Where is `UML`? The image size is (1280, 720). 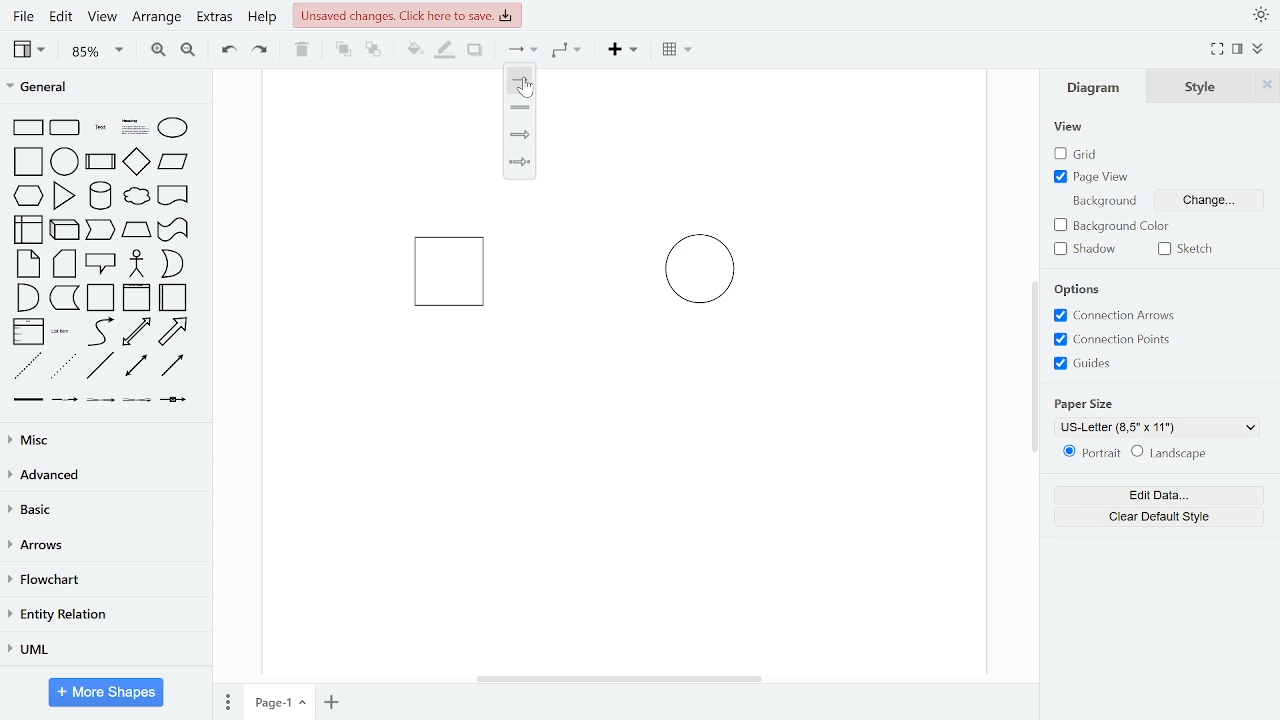
UML is located at coordinates (101, 650).